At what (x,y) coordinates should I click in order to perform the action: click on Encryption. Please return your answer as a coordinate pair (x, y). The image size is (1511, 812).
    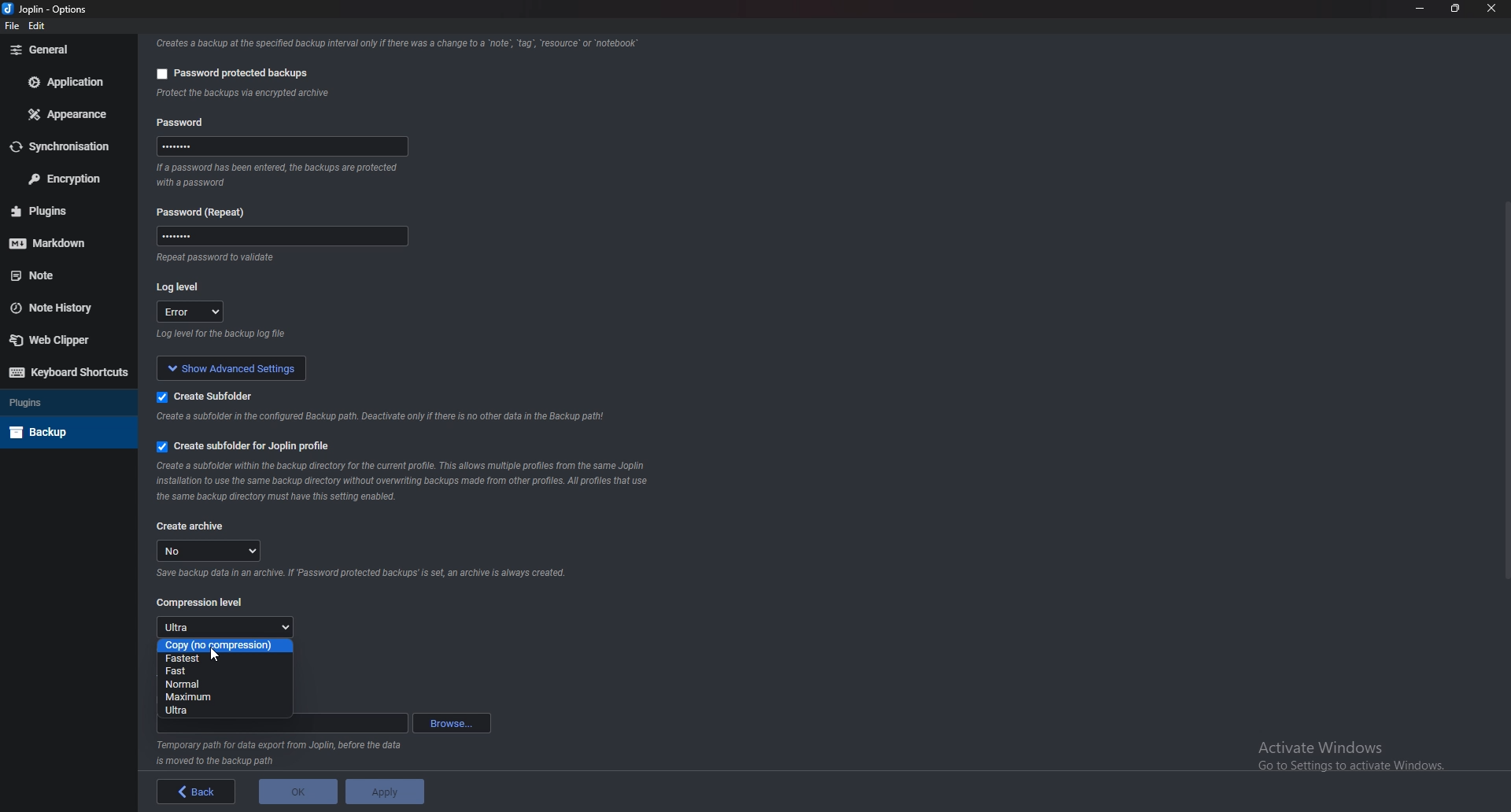
    Looking at the image, I should click on (65, 178).